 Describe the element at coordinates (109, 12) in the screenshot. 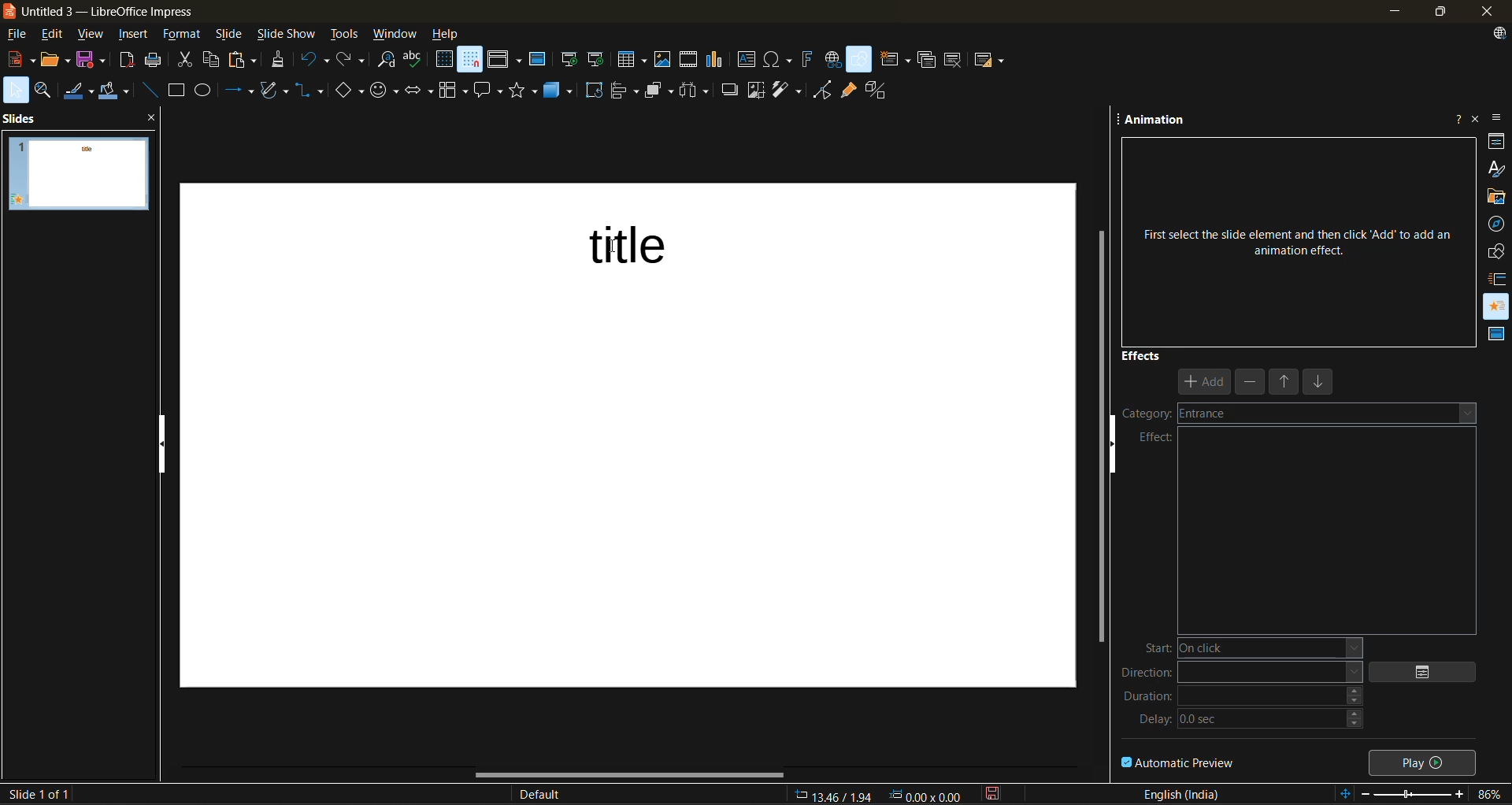

I see `app name and file name` at that location.